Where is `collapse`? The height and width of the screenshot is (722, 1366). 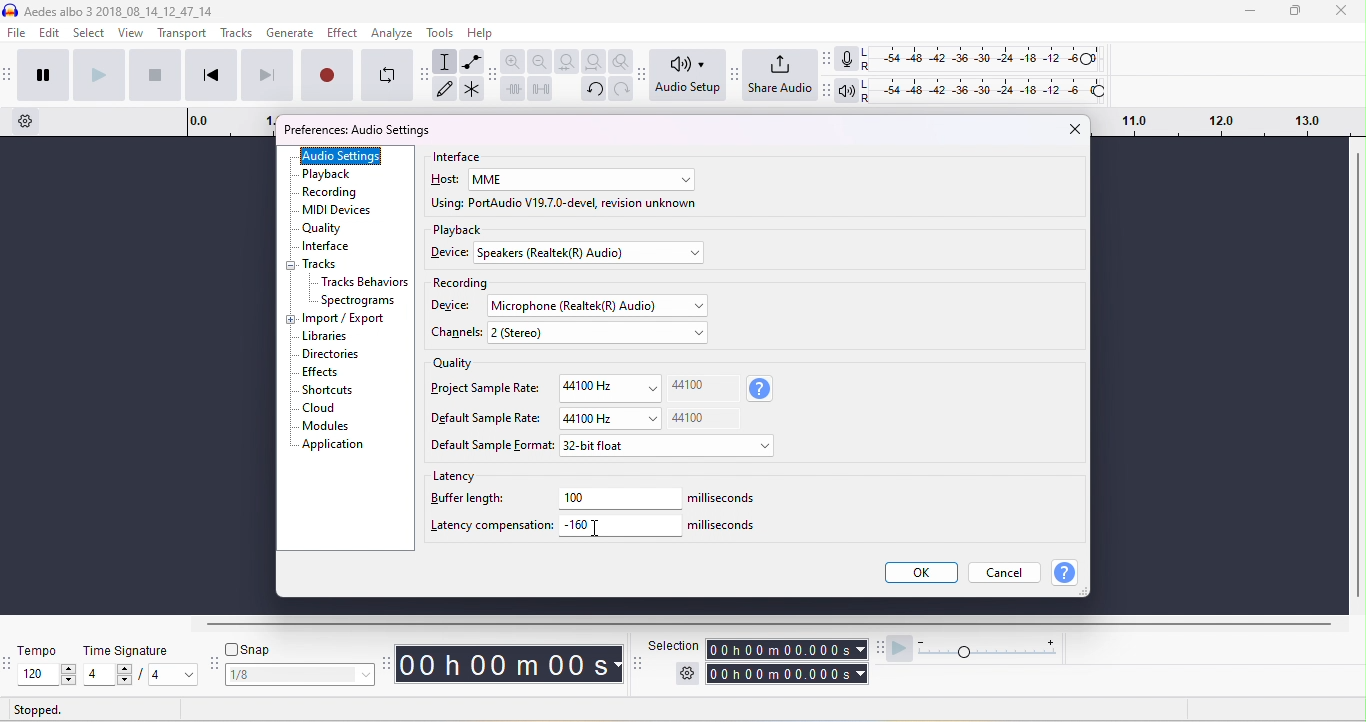 collapse is located at coordinates (294, 267).